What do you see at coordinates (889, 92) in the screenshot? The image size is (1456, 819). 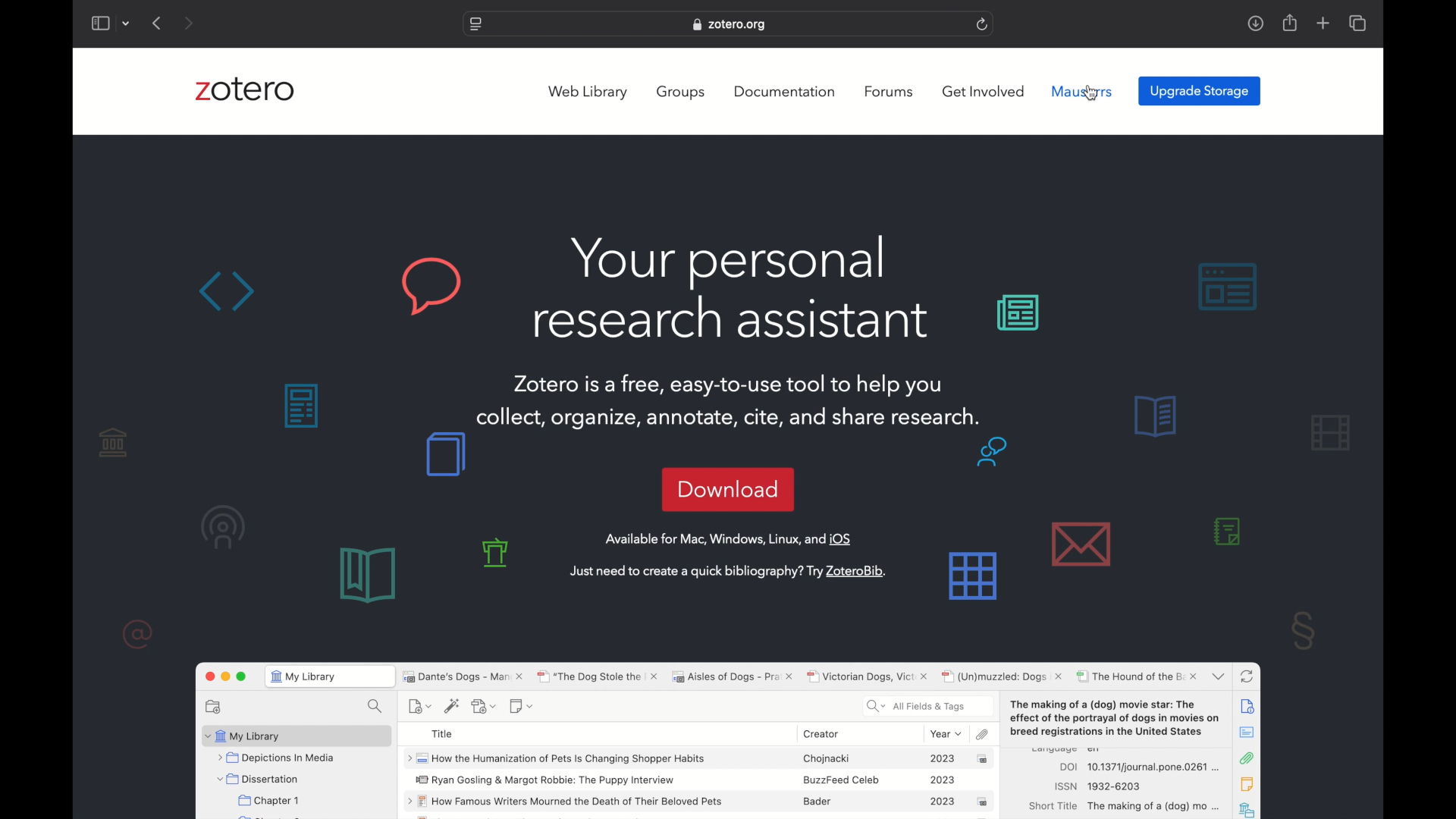 I see `forums` at bounding box center [889, 92].